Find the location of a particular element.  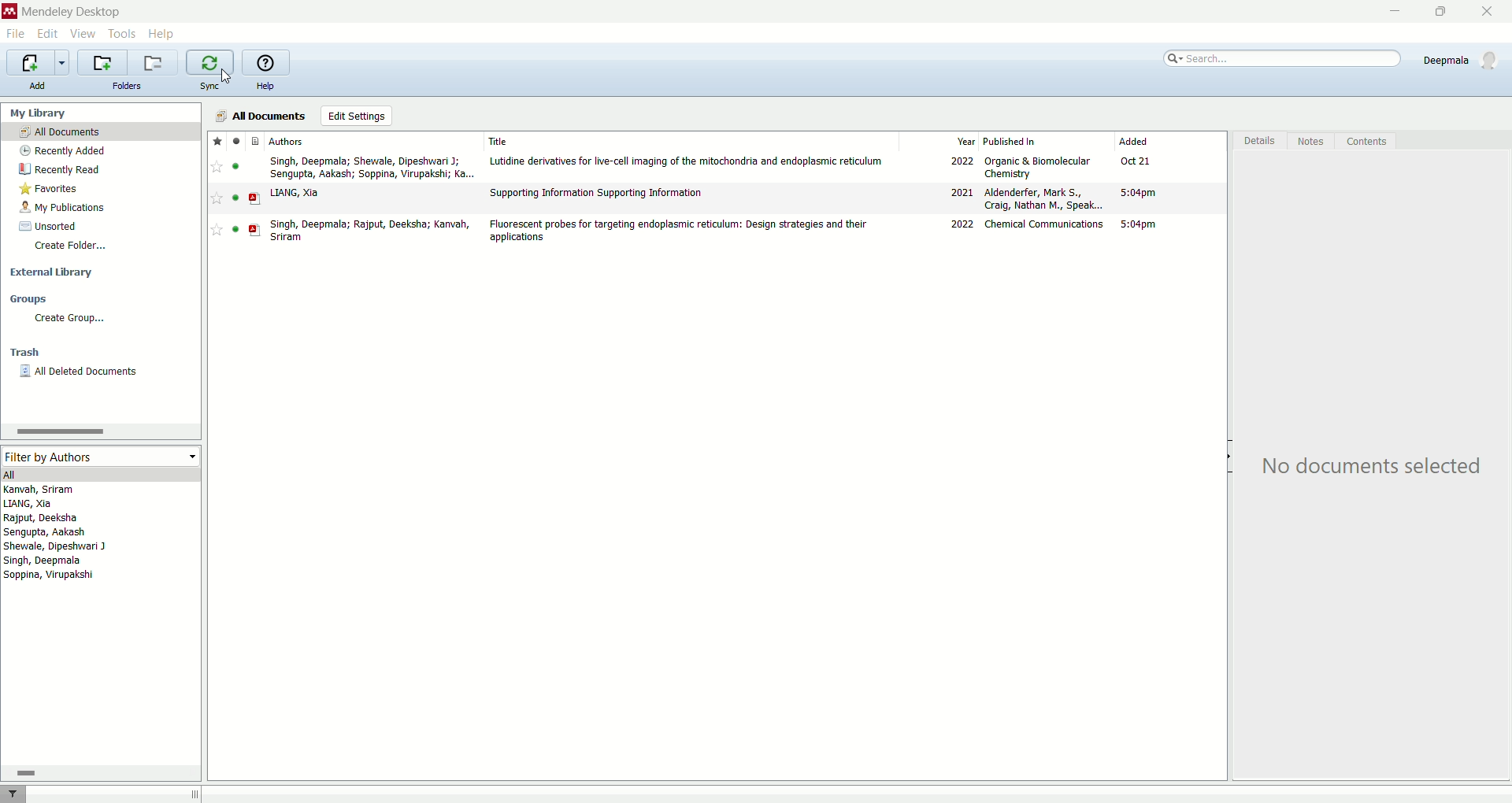

Add to favorite is located at coordinates (217, 230).